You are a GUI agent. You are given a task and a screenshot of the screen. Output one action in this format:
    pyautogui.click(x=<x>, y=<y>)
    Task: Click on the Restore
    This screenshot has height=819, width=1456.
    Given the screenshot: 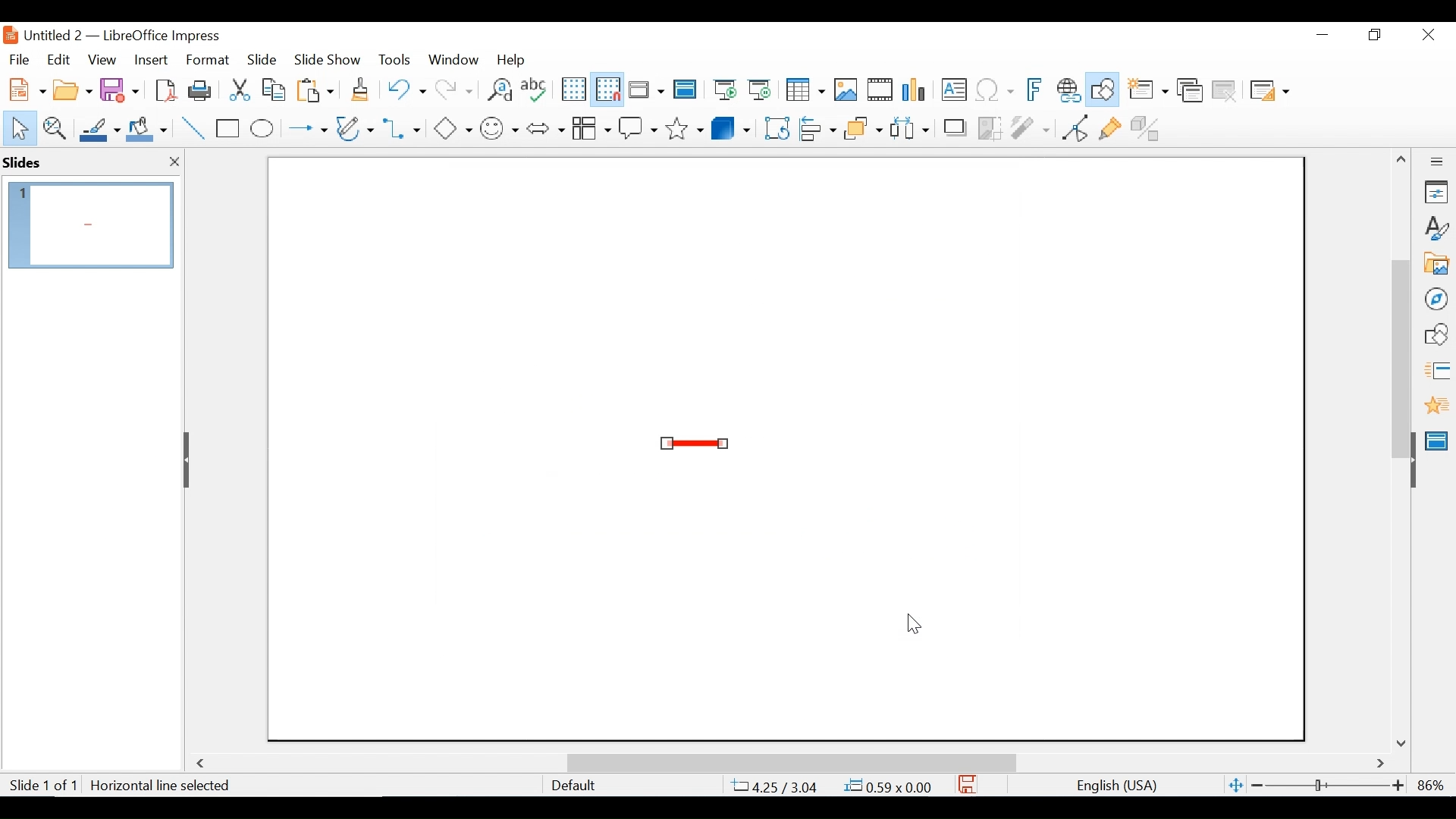 What is the action you would take?
    pyautogui.click(x=1373, y=35)
    